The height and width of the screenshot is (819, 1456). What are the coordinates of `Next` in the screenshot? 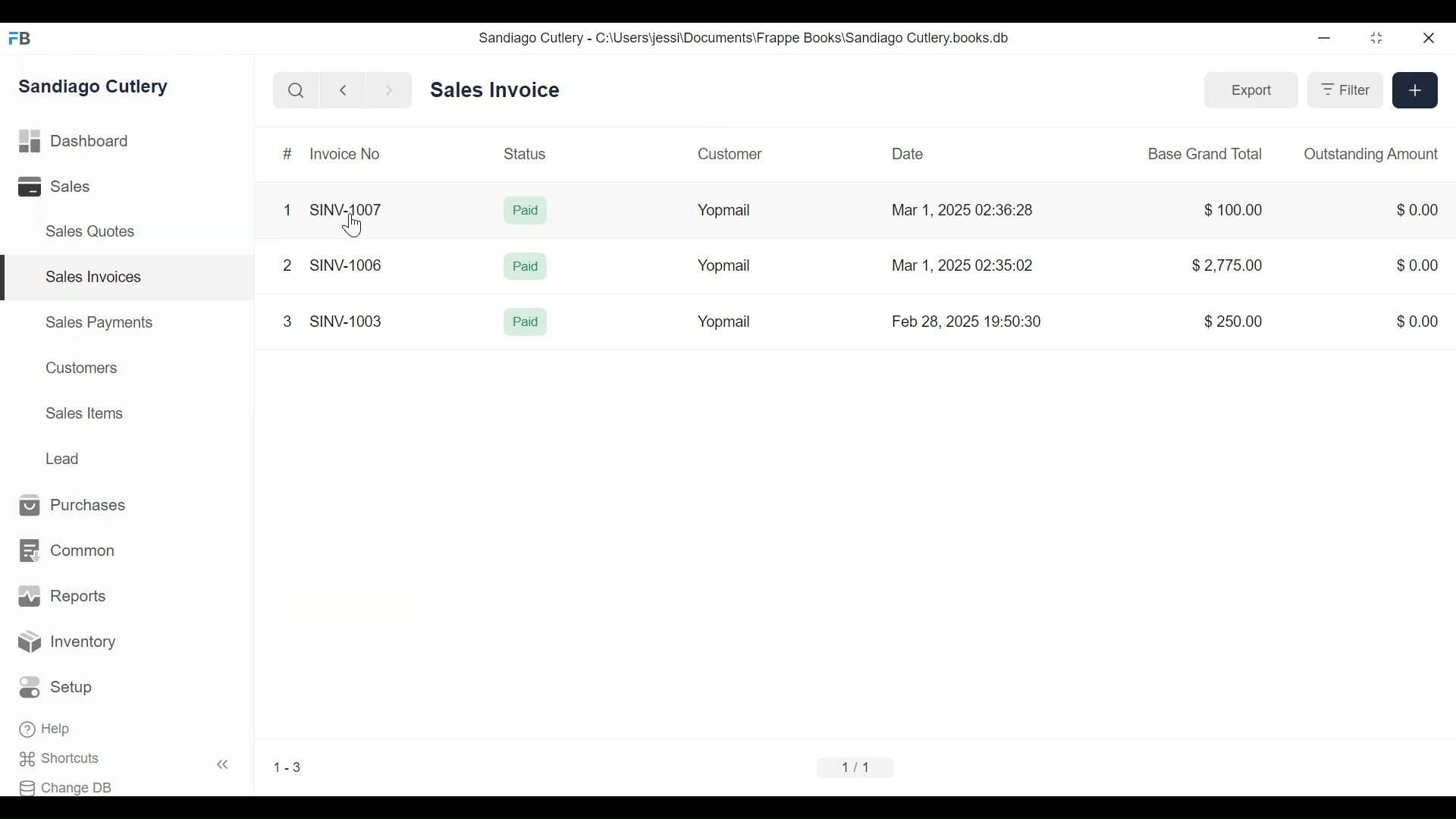 It's located at (391, 90).